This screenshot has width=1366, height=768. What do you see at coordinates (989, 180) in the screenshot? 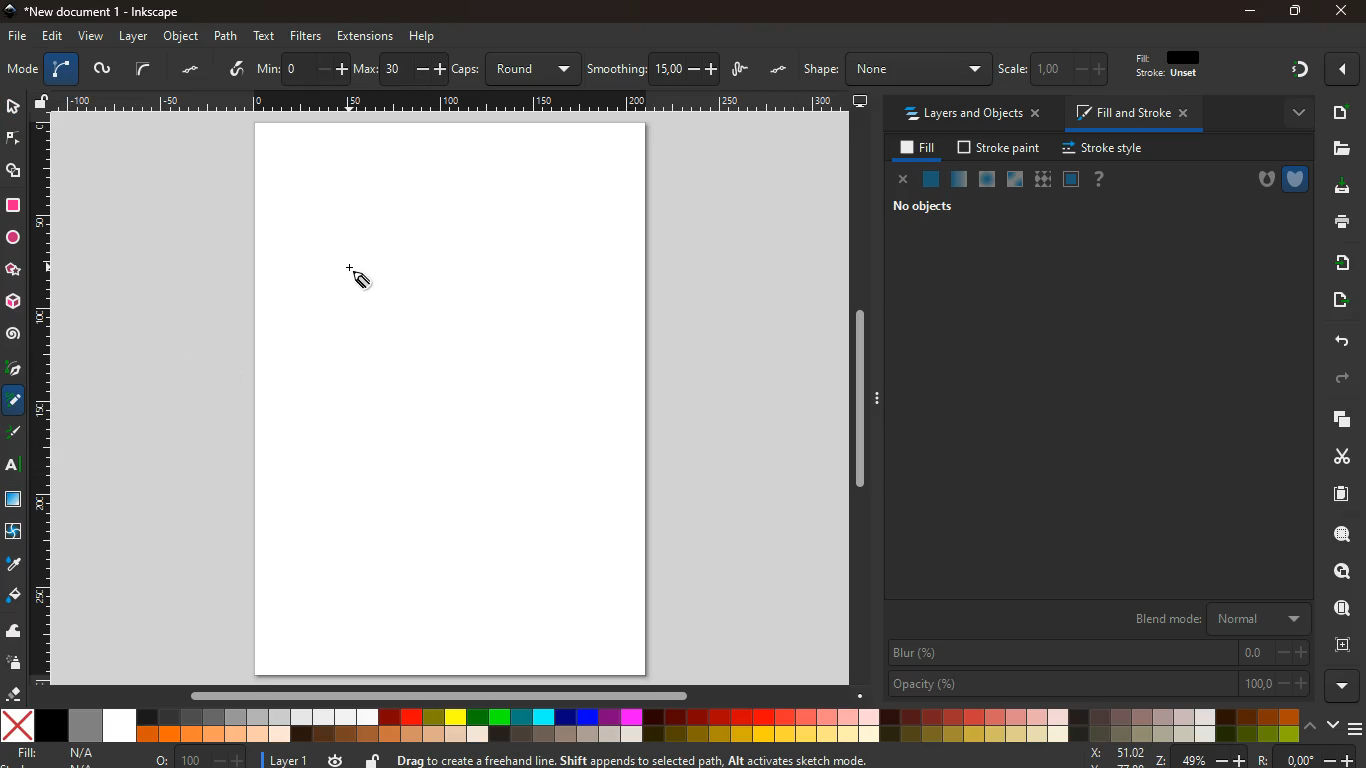
I see `ice` at bounding box center [989, 180].